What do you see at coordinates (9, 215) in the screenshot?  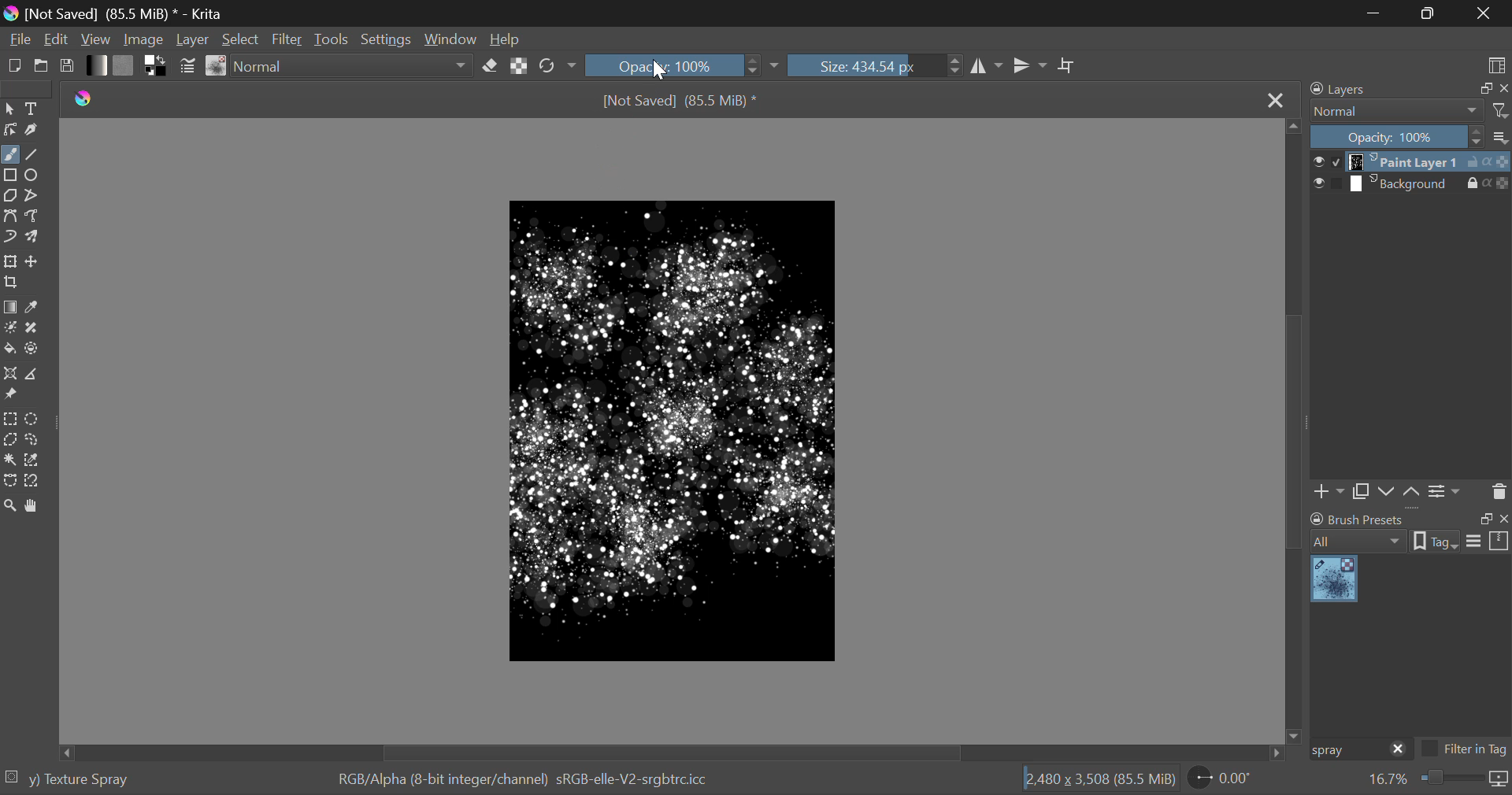 I see `Bezier Curve` at bounding box center [9, 215].